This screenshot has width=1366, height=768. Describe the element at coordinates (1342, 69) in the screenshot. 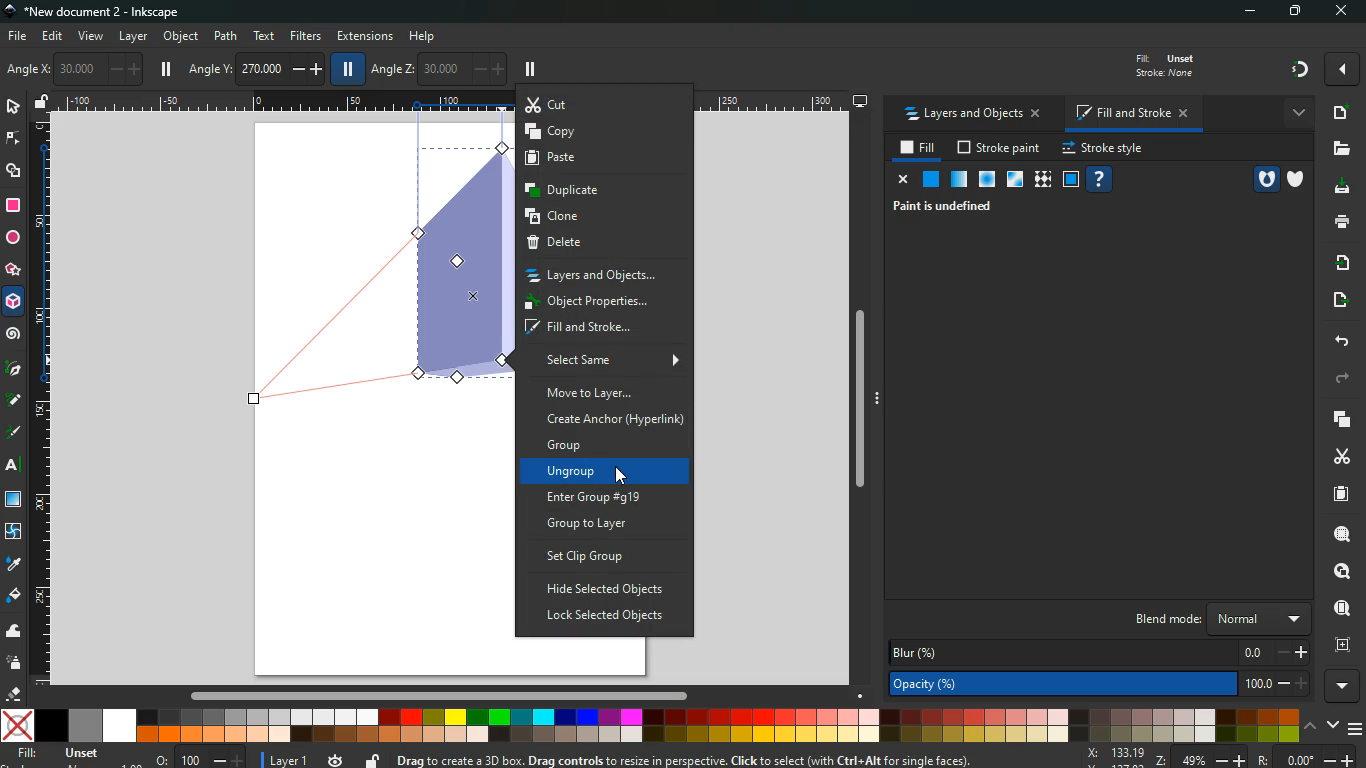

I see `more` at that location.